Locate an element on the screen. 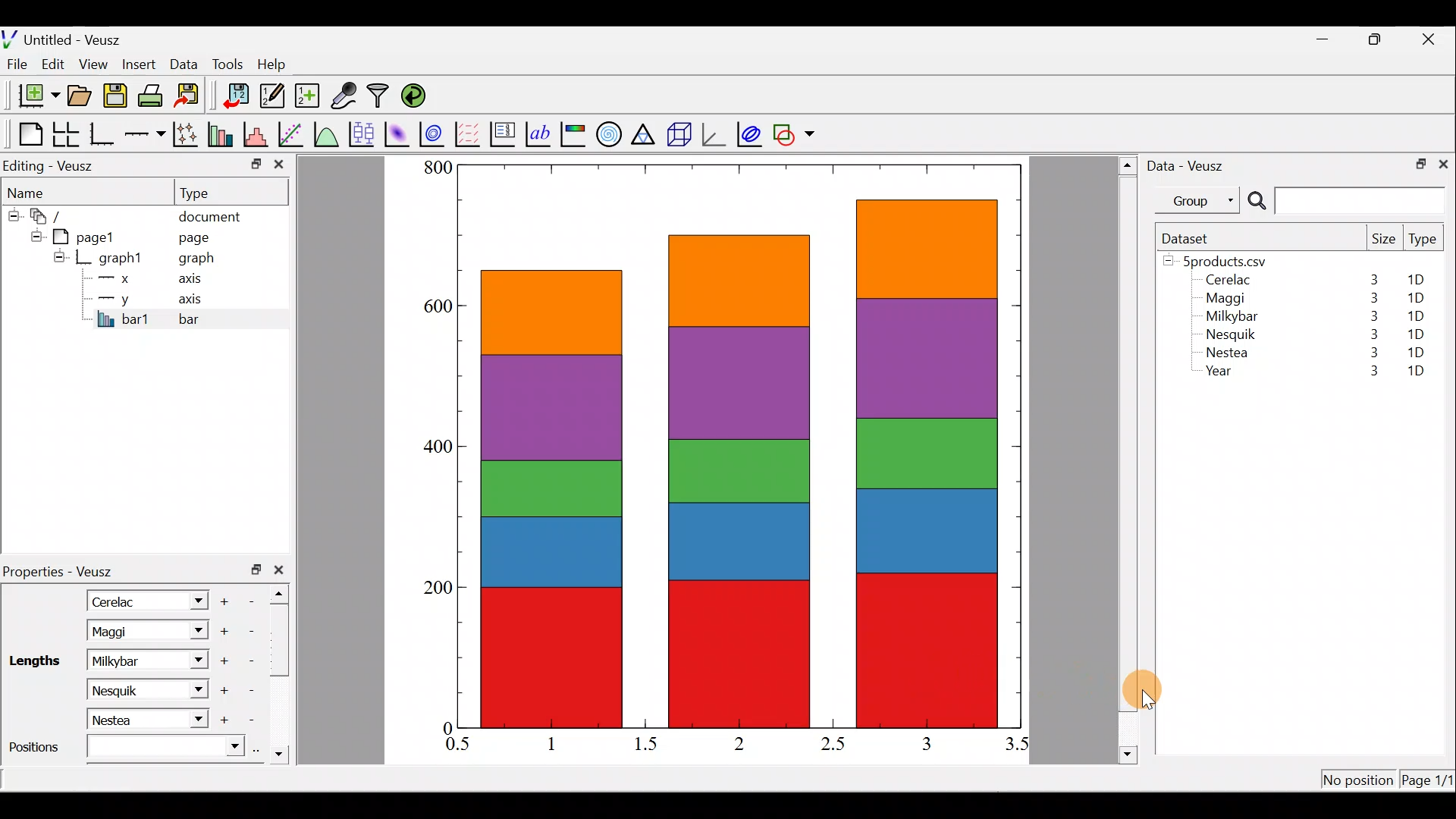 The width and height of the screenshot is (1456, 819). Plot a function is located at coordinates (327, 133).